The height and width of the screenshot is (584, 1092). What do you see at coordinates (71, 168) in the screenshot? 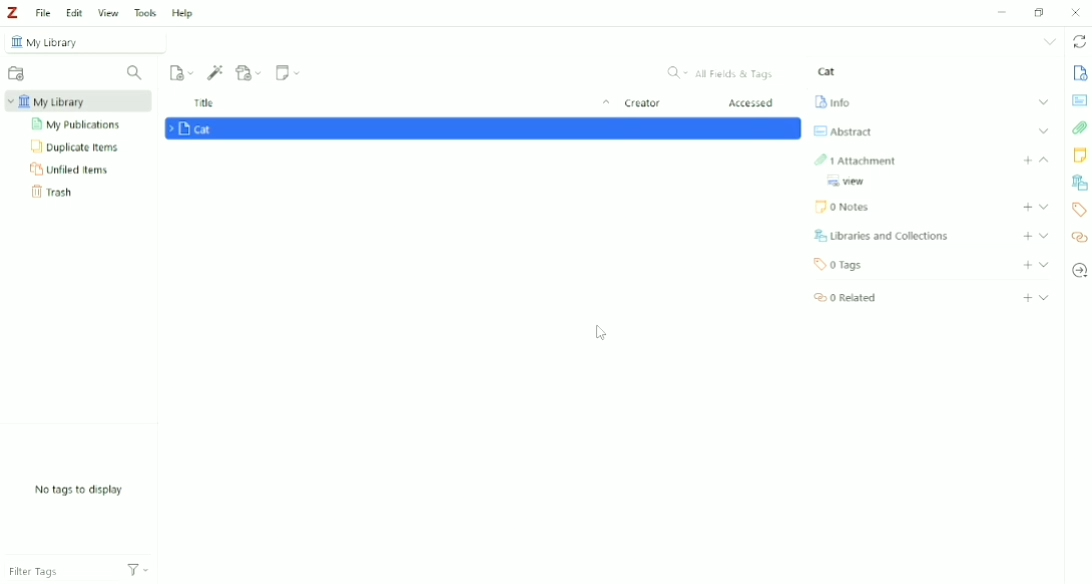
I see `Unfiled Items` at bounding box center [71, 168].